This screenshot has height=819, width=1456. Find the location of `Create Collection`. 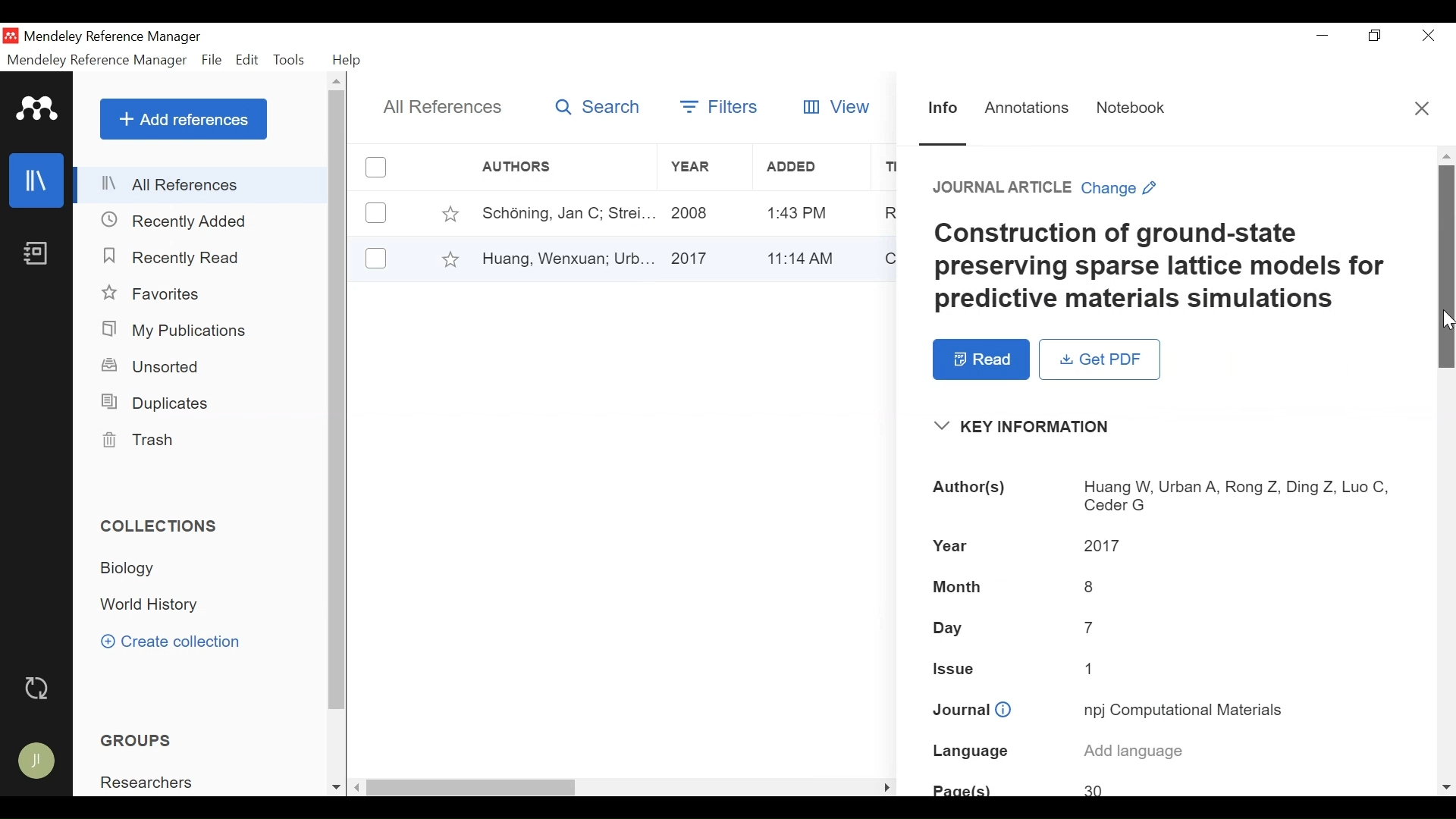

Create Collection is located at coordinates (171, 641).